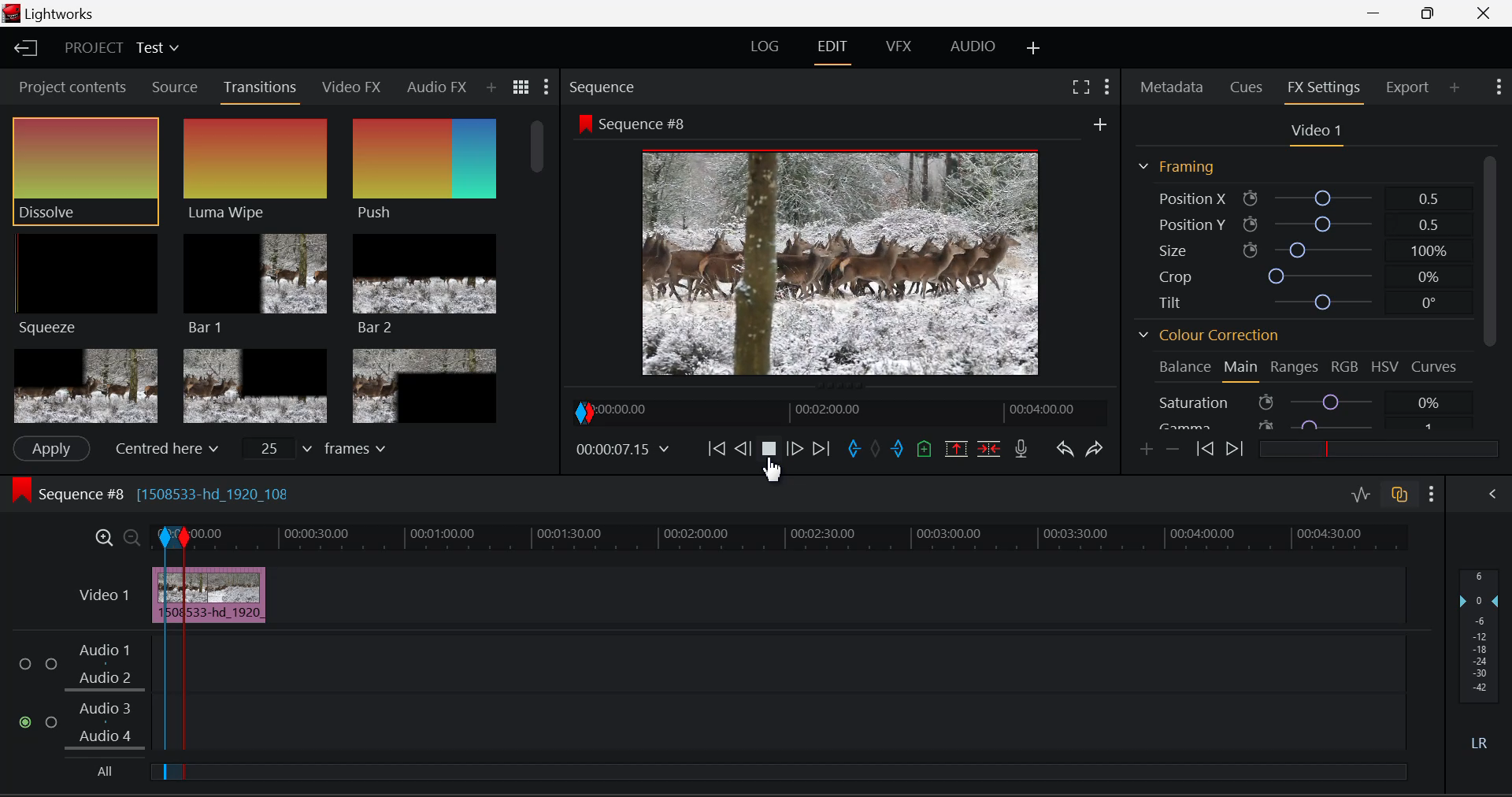 Image resolution: width=1512 pixels, height=797 pixels. What do you see at coordinates (875, 451) in the screenshot?
I see `Remove all marks` at bounding box center [875, 451].